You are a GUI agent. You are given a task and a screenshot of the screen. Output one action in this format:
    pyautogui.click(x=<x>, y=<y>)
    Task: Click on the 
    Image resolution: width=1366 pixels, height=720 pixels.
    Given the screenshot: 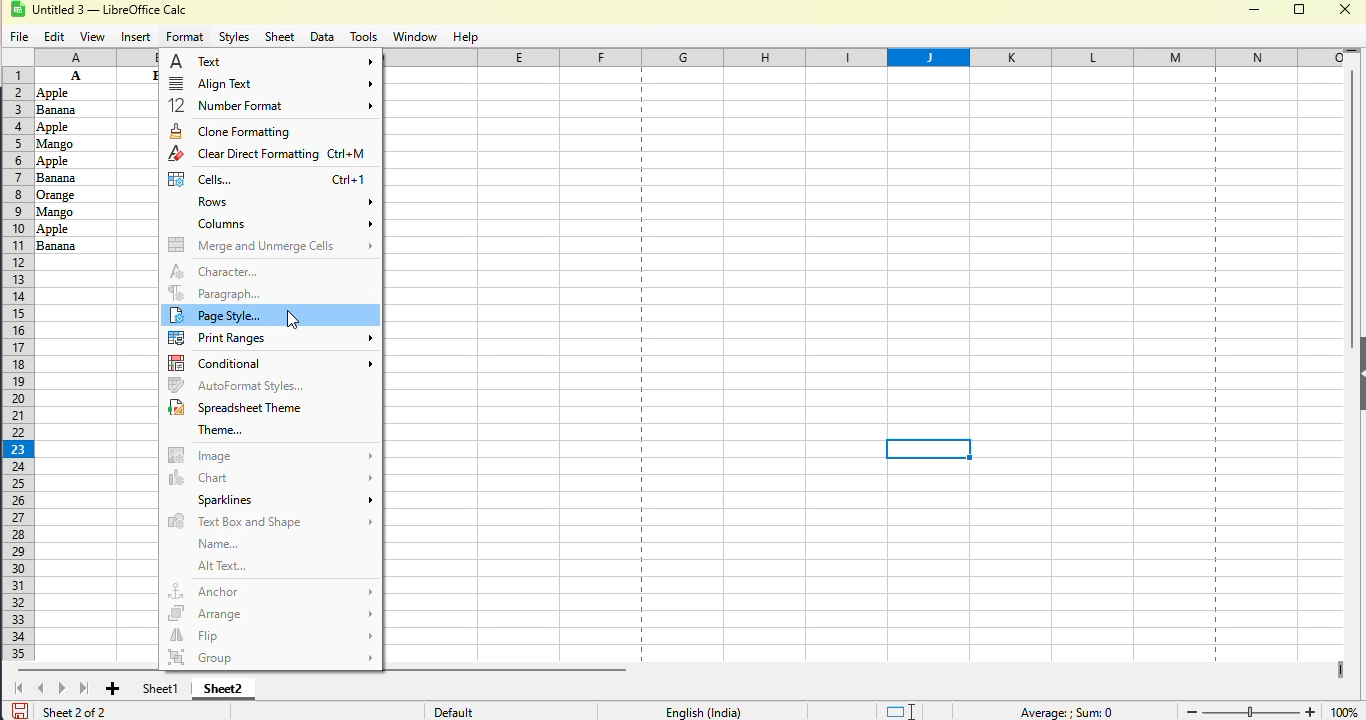 What is the action you would take?
    pyautogui.click(x=74, y=210)
    